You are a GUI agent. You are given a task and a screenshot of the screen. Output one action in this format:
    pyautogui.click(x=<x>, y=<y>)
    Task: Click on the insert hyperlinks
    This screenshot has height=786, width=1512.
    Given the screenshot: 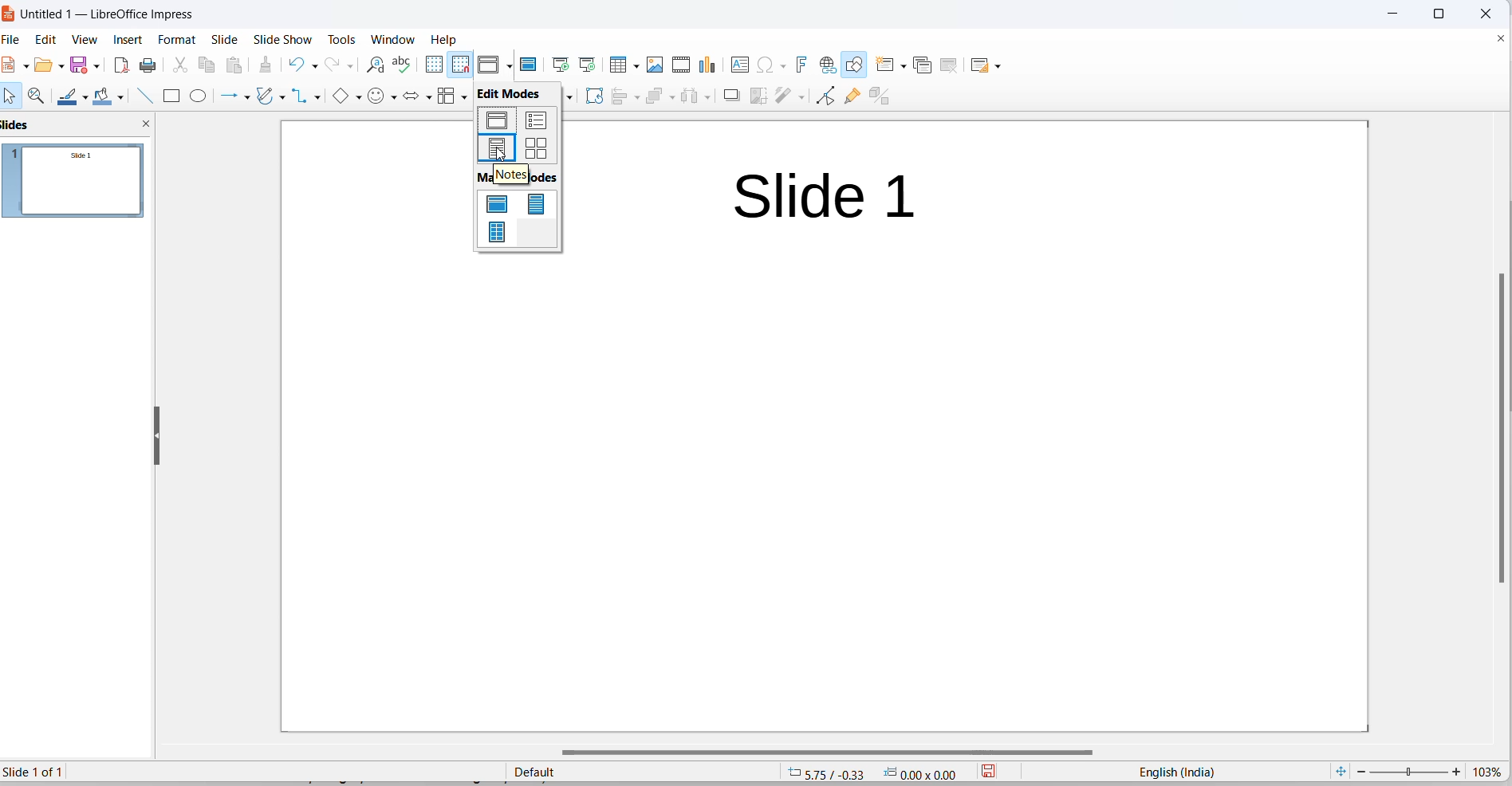 What is the action you would take?
    pyautogui.click(x=829, y=64)
    